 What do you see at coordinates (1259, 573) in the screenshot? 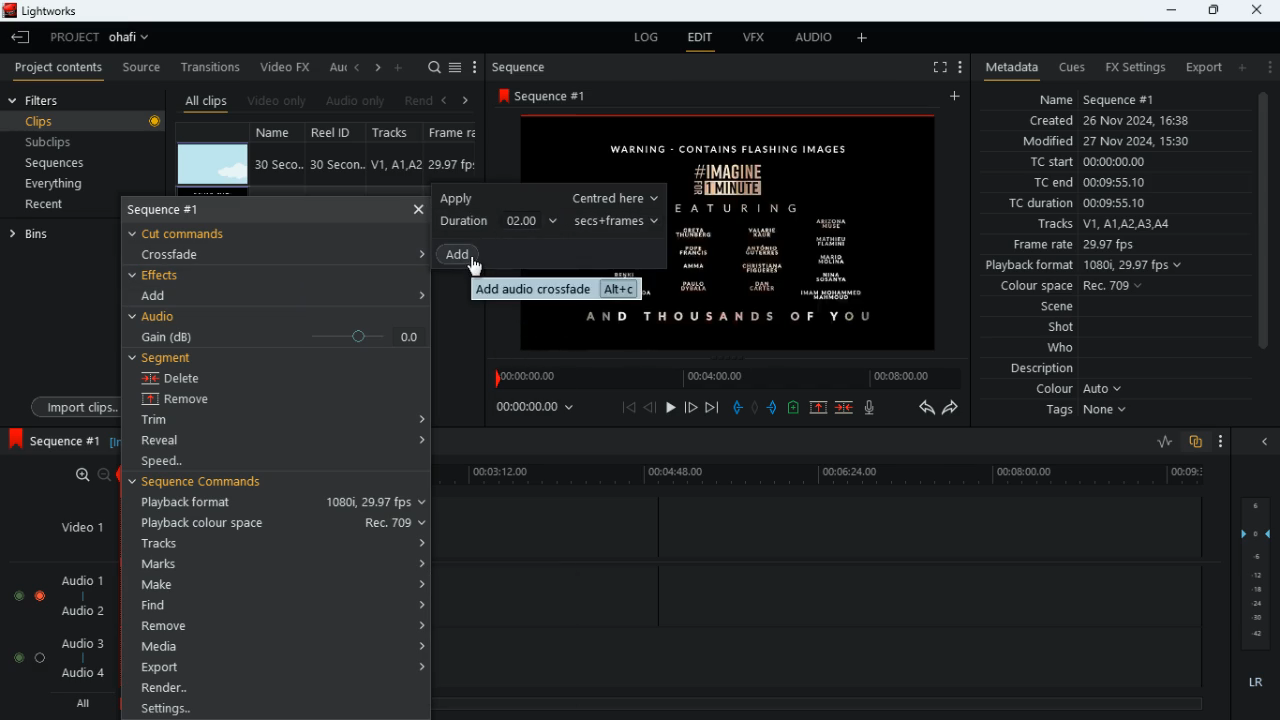
I see `layers` at bounding box center [1259, 573].